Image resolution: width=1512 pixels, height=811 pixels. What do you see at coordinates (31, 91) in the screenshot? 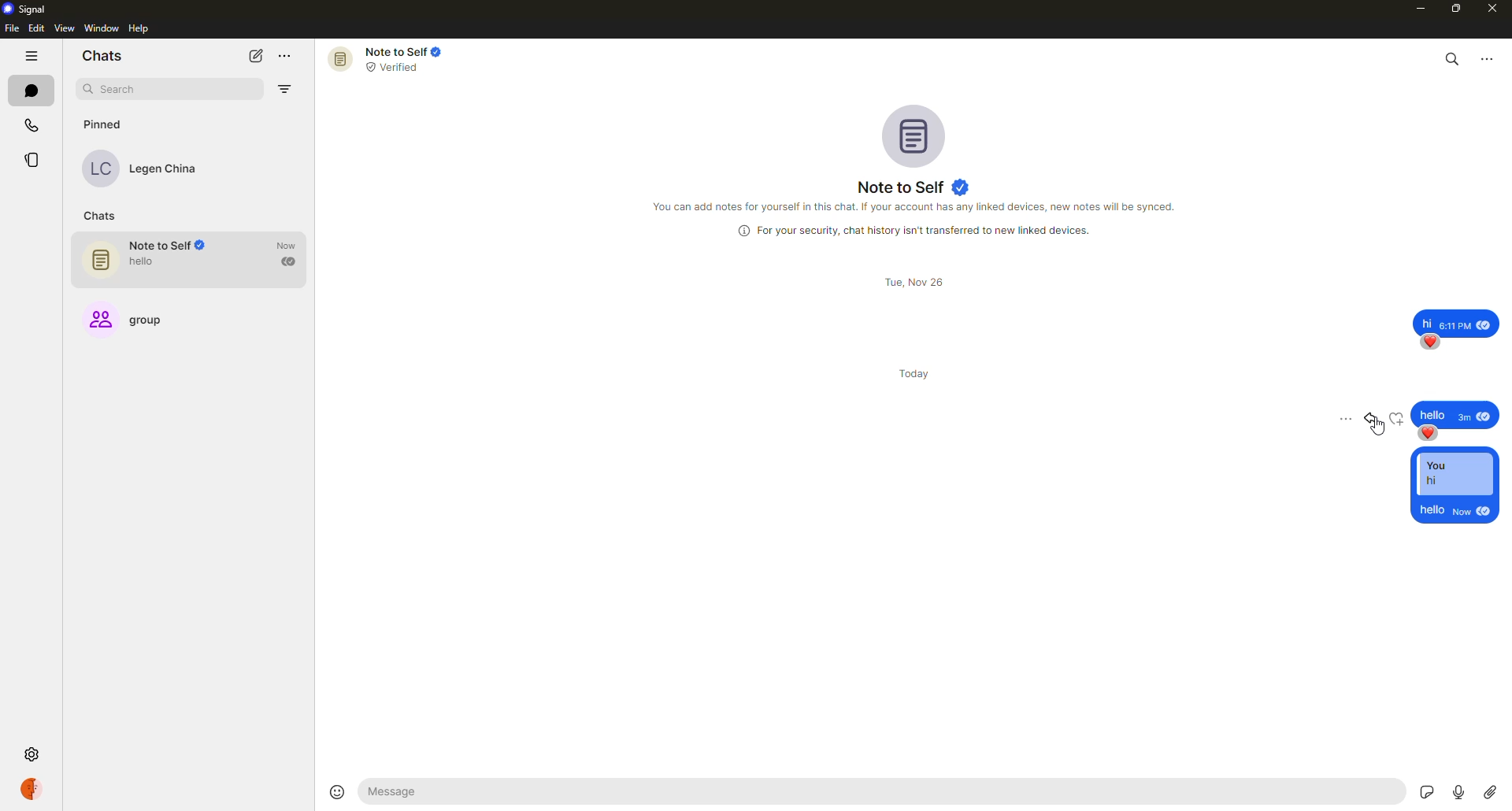
I see `chats` at bounding box center [31, 91].